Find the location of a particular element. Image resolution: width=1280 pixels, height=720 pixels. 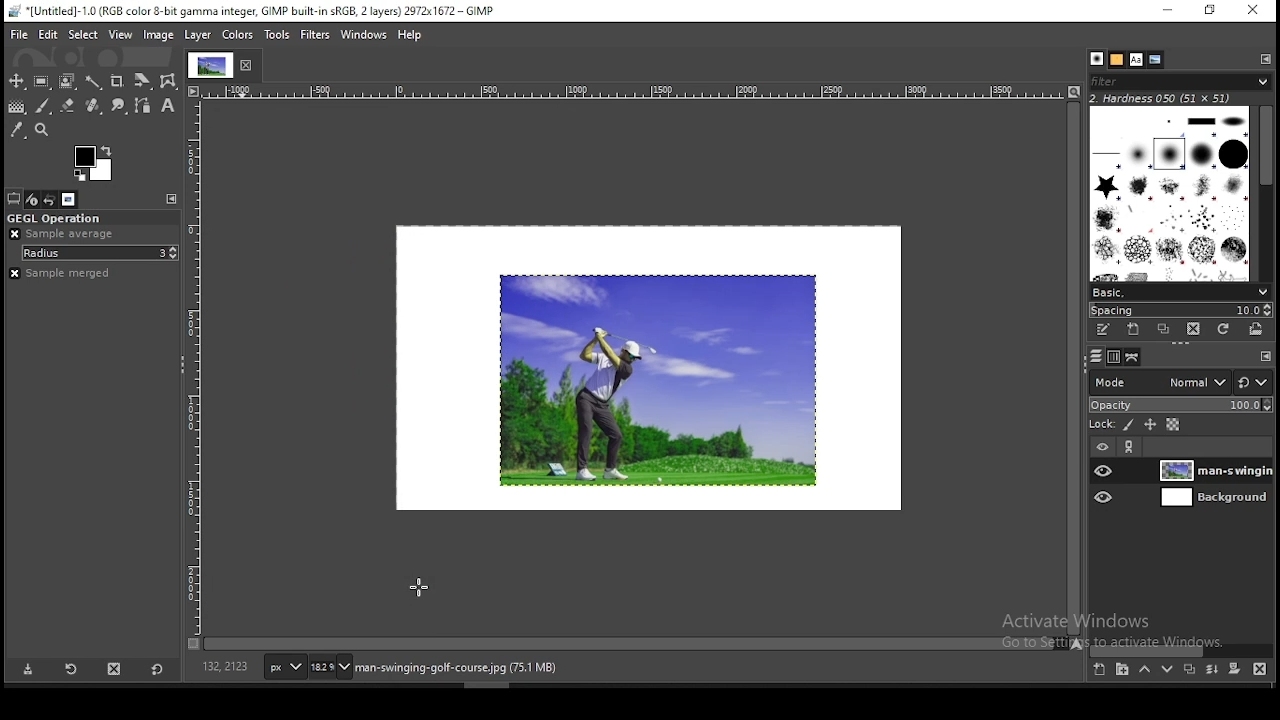

zoom tool is located at coordinates (43, 131).